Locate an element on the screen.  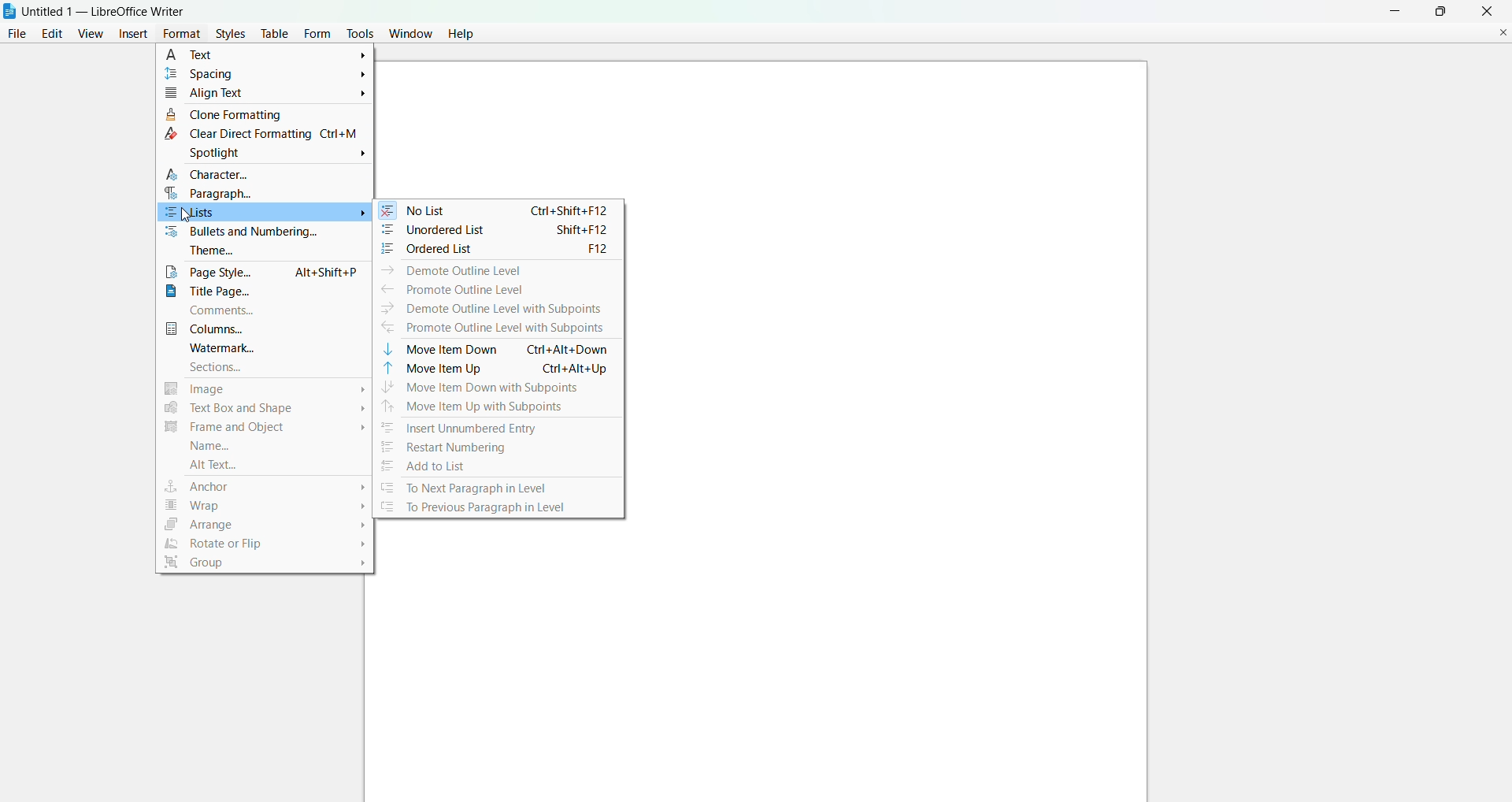
restart numbering is located at coordinates (443, 447).